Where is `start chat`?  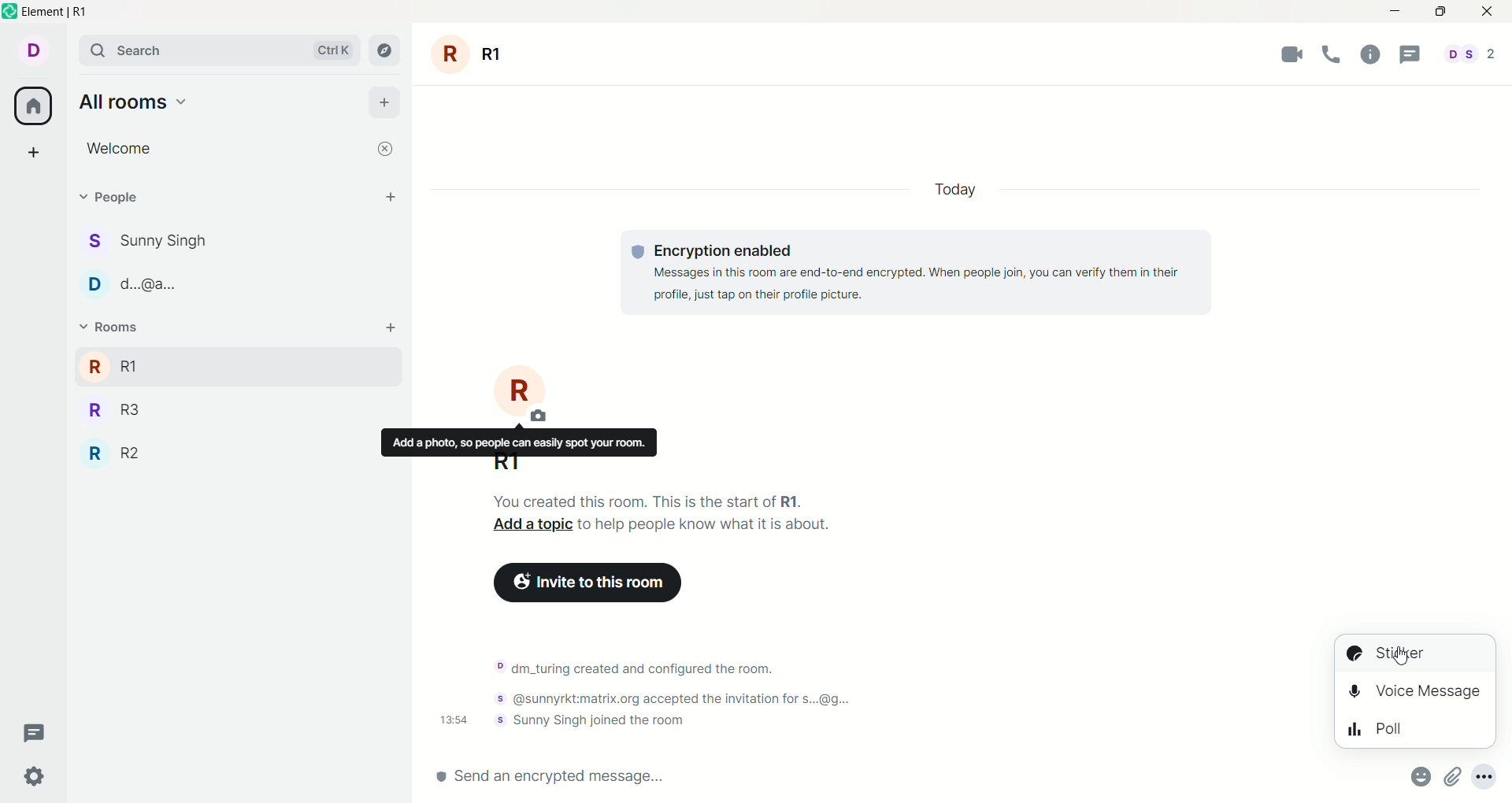
start chat is located at coordinates (391, 196).